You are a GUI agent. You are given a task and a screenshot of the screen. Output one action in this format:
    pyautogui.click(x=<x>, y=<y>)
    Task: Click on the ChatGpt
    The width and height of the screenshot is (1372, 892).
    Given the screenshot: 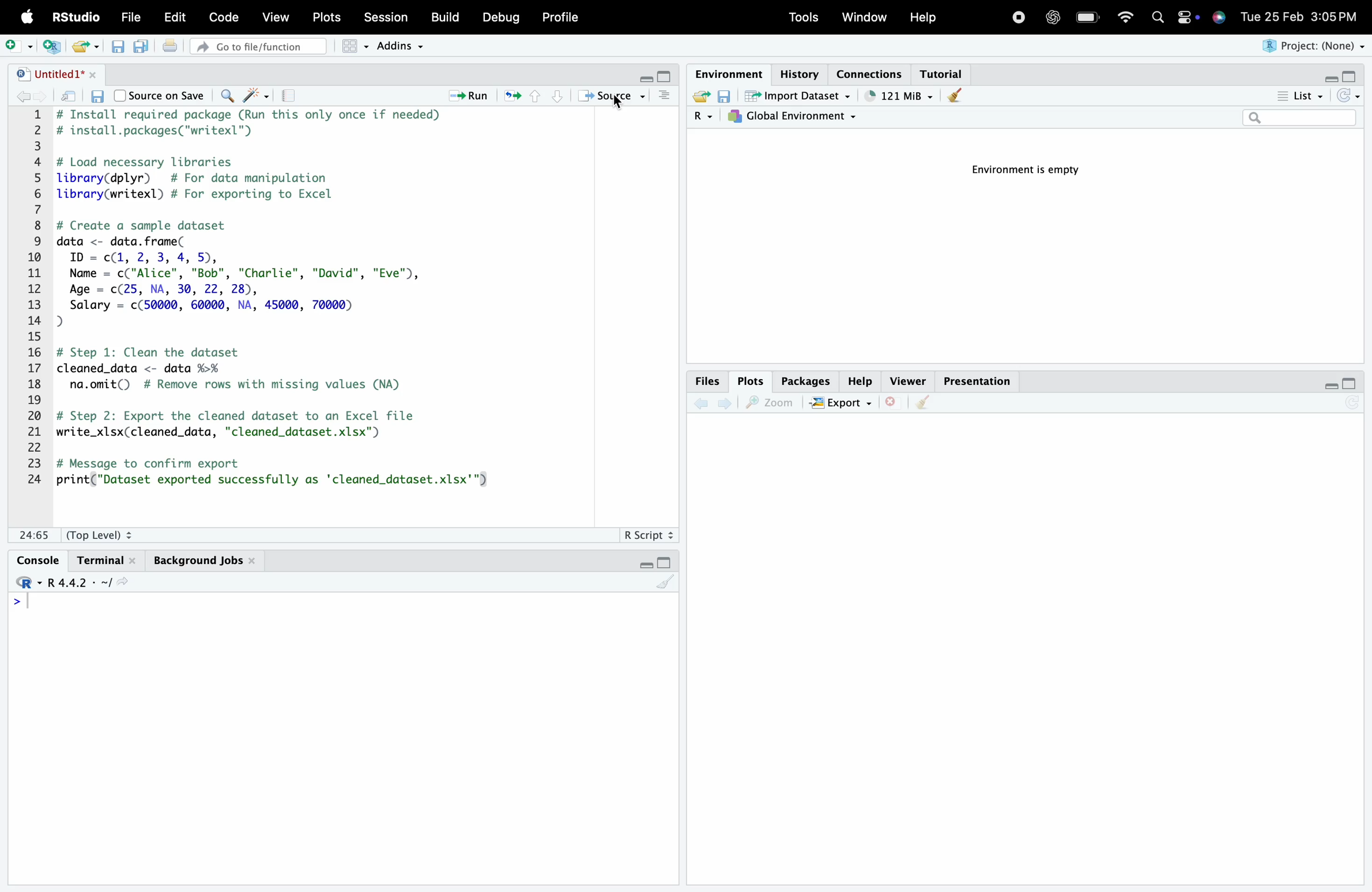 What is the action you would take?
    pyautogui.click(x=1053, y=15)
    